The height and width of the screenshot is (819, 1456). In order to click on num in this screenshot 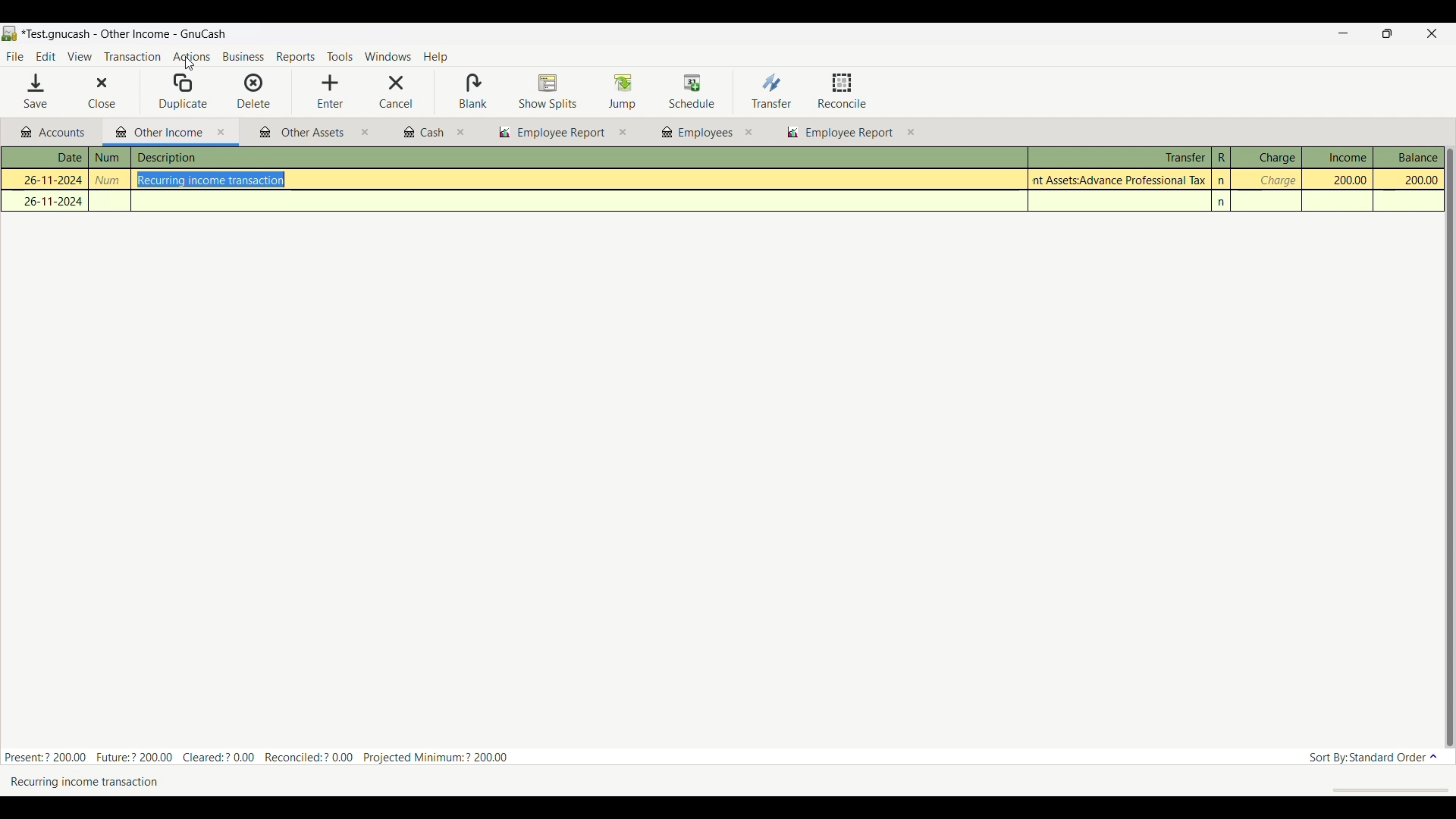, I will do `click(109, 158)`.